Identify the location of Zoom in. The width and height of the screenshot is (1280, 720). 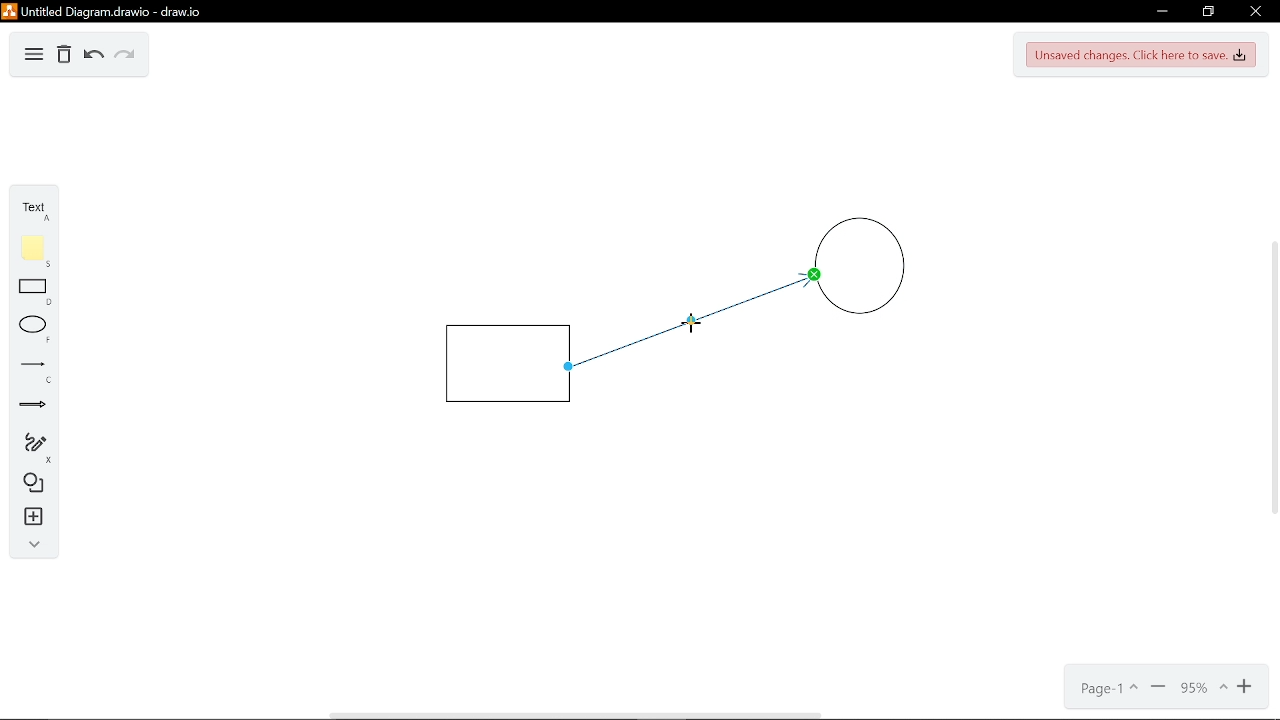
(1246, 688).